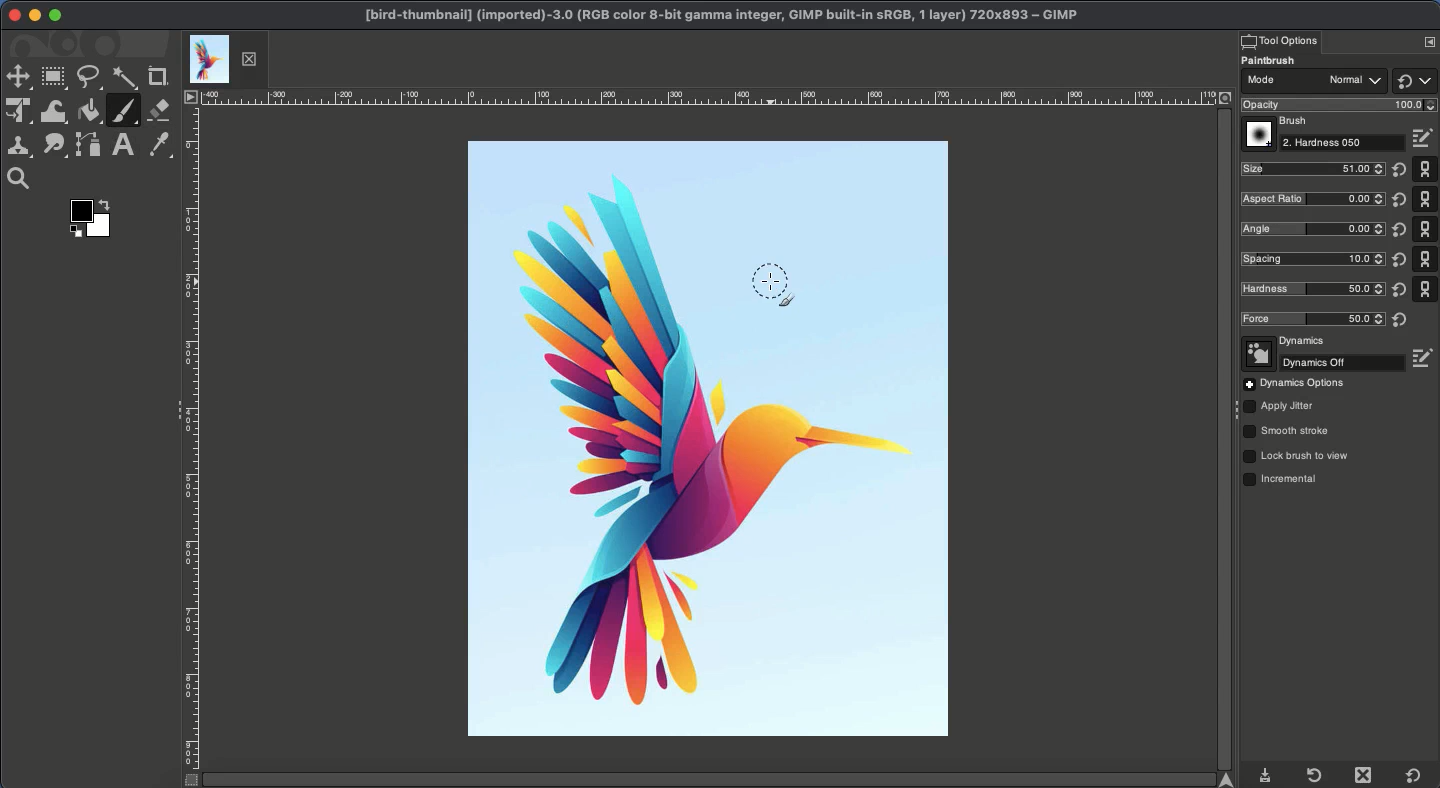 This screenshot has height=788, width=1440. What do you see at coordinates (718, 780) in the screenshot?
I see `Scroll` at bounding box center [718, 780].